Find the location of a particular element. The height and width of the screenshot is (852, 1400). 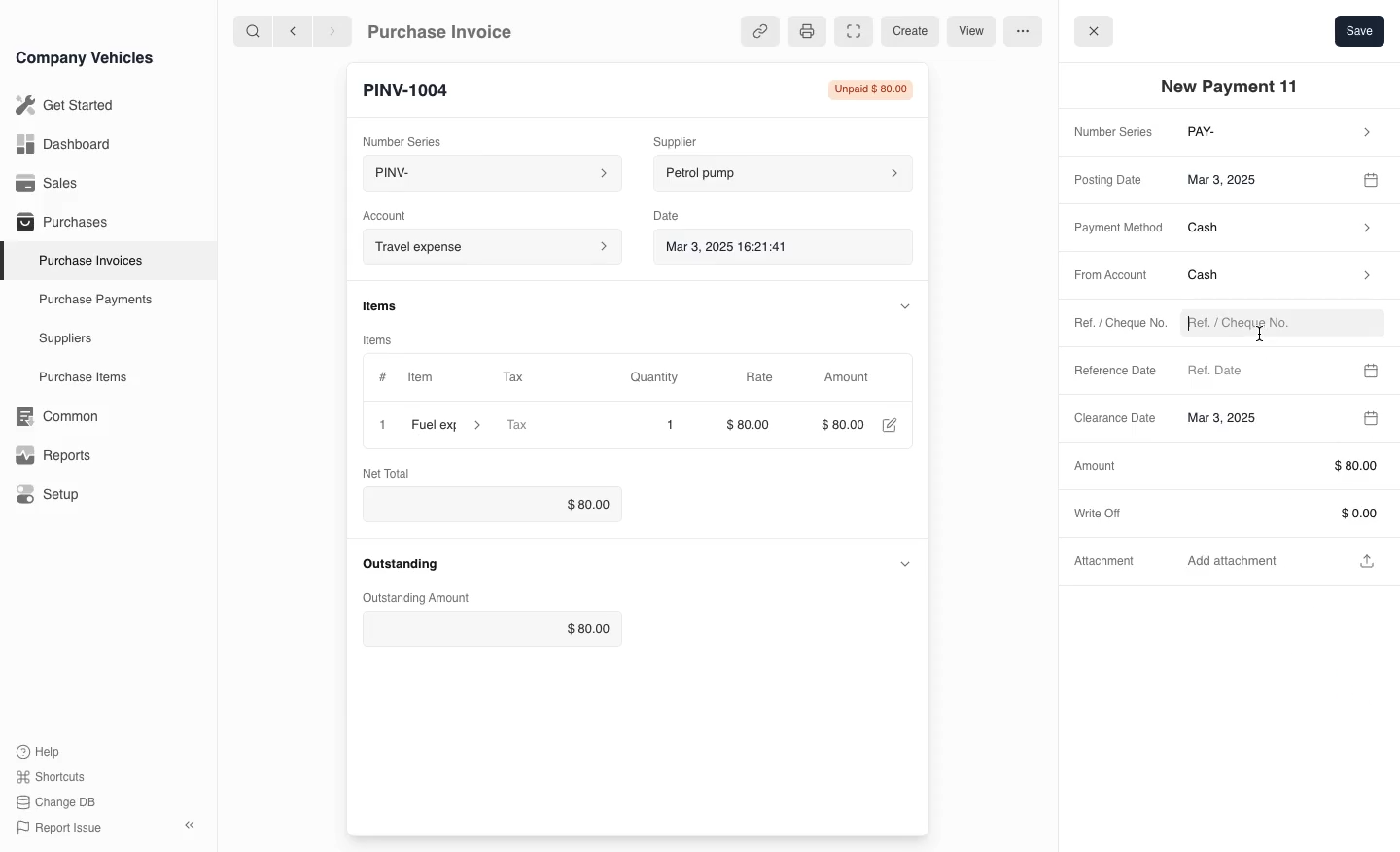

close sidebar is located at coordinates (192, 823).